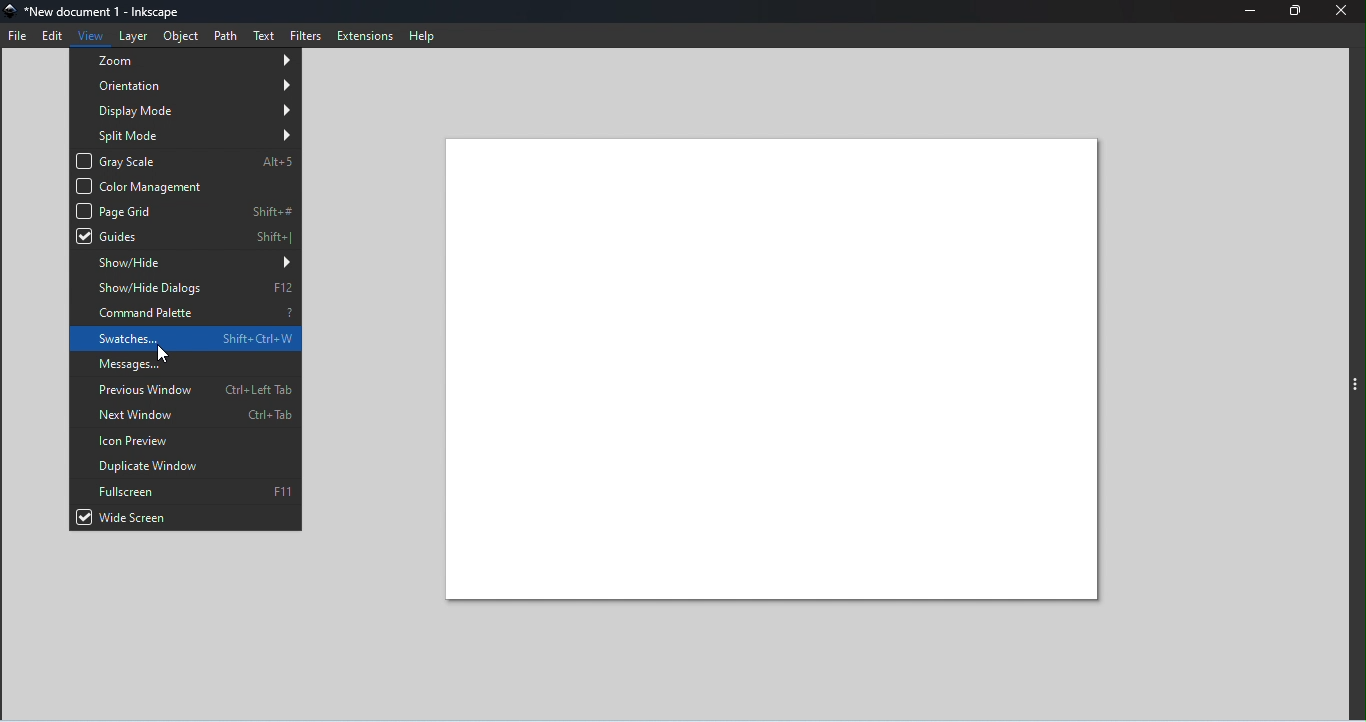 Image resolution: width=1366 pixels, height=722 pixels. I want to click on Swatches, so click(185, 338).